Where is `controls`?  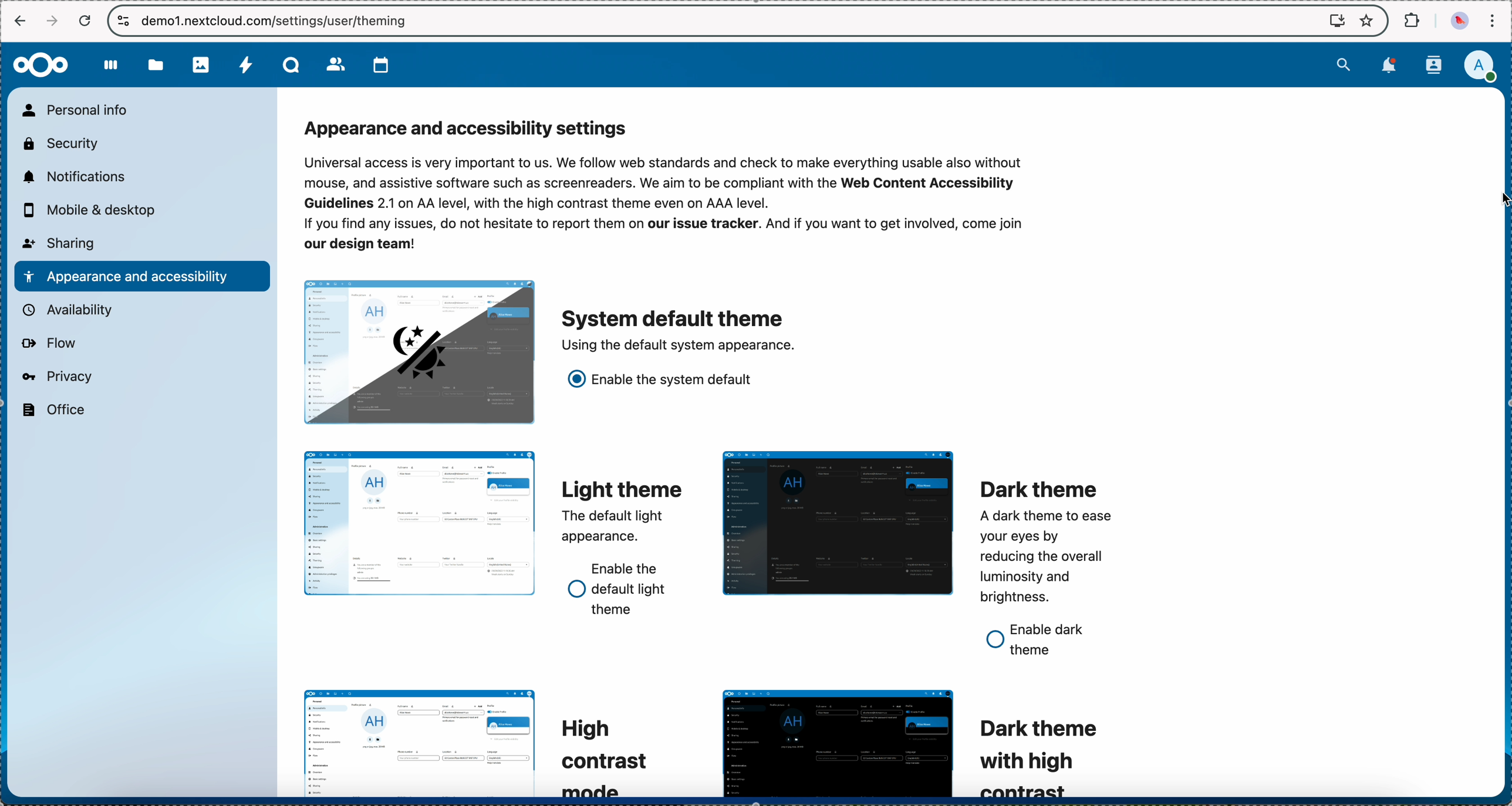
controls is located at coordinates (121, 21).